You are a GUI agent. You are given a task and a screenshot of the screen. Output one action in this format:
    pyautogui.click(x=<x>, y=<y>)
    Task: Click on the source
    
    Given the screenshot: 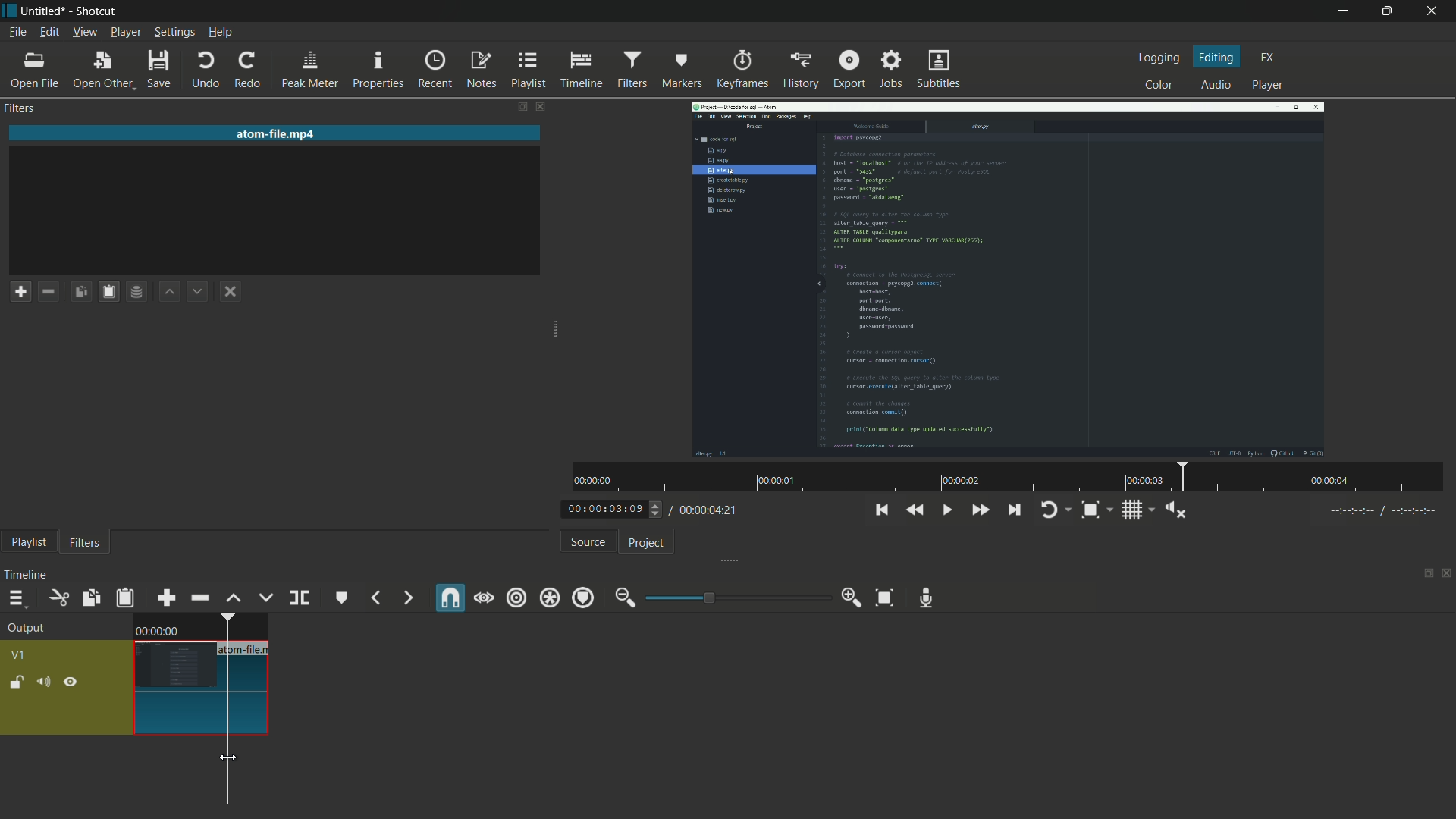 What is the action you would take?
    pyautogui.click(x=590, y=543)
    